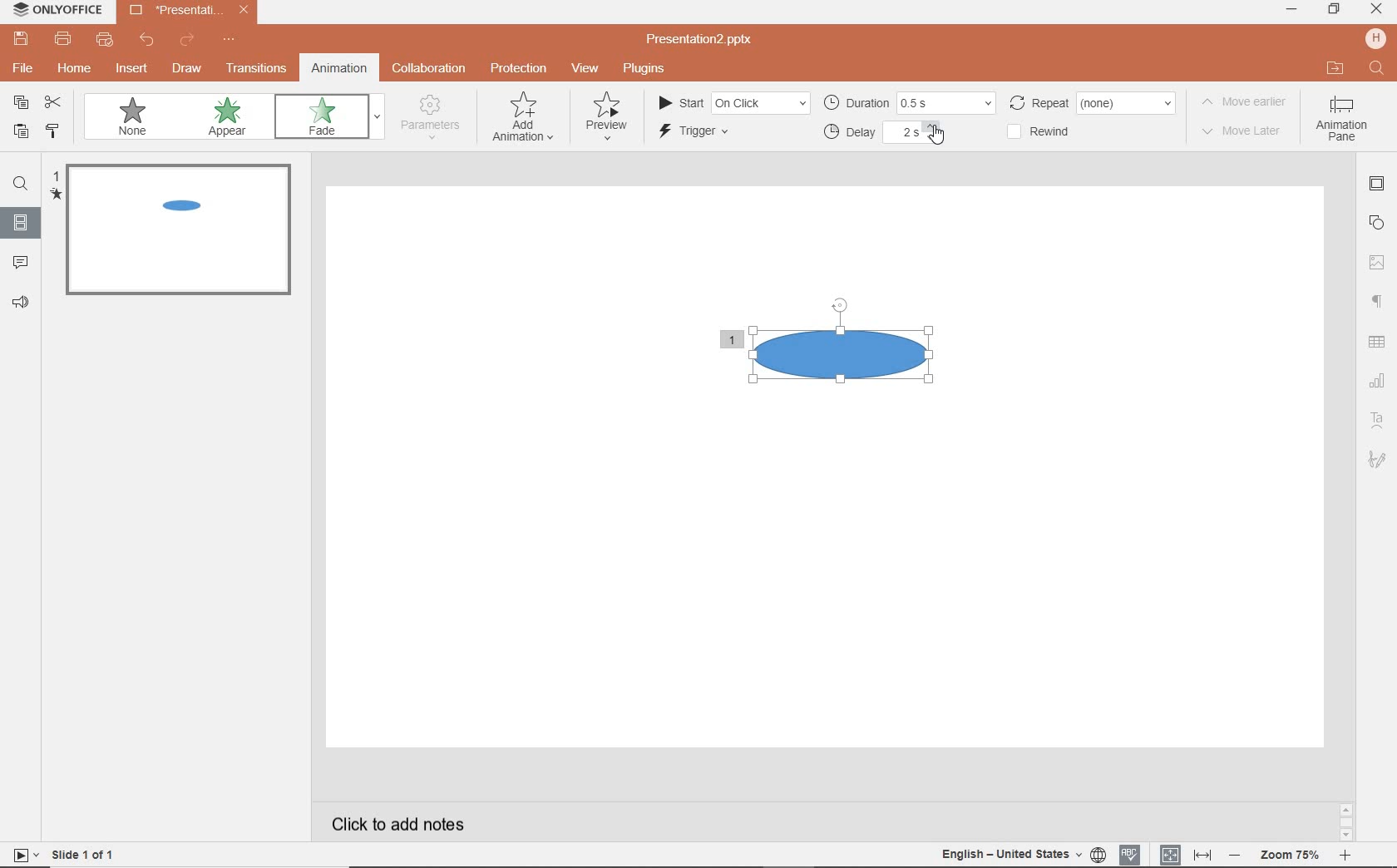 The width and height of the screenshot is (1397, 868). I want to click on quick print, so click(106, 41).